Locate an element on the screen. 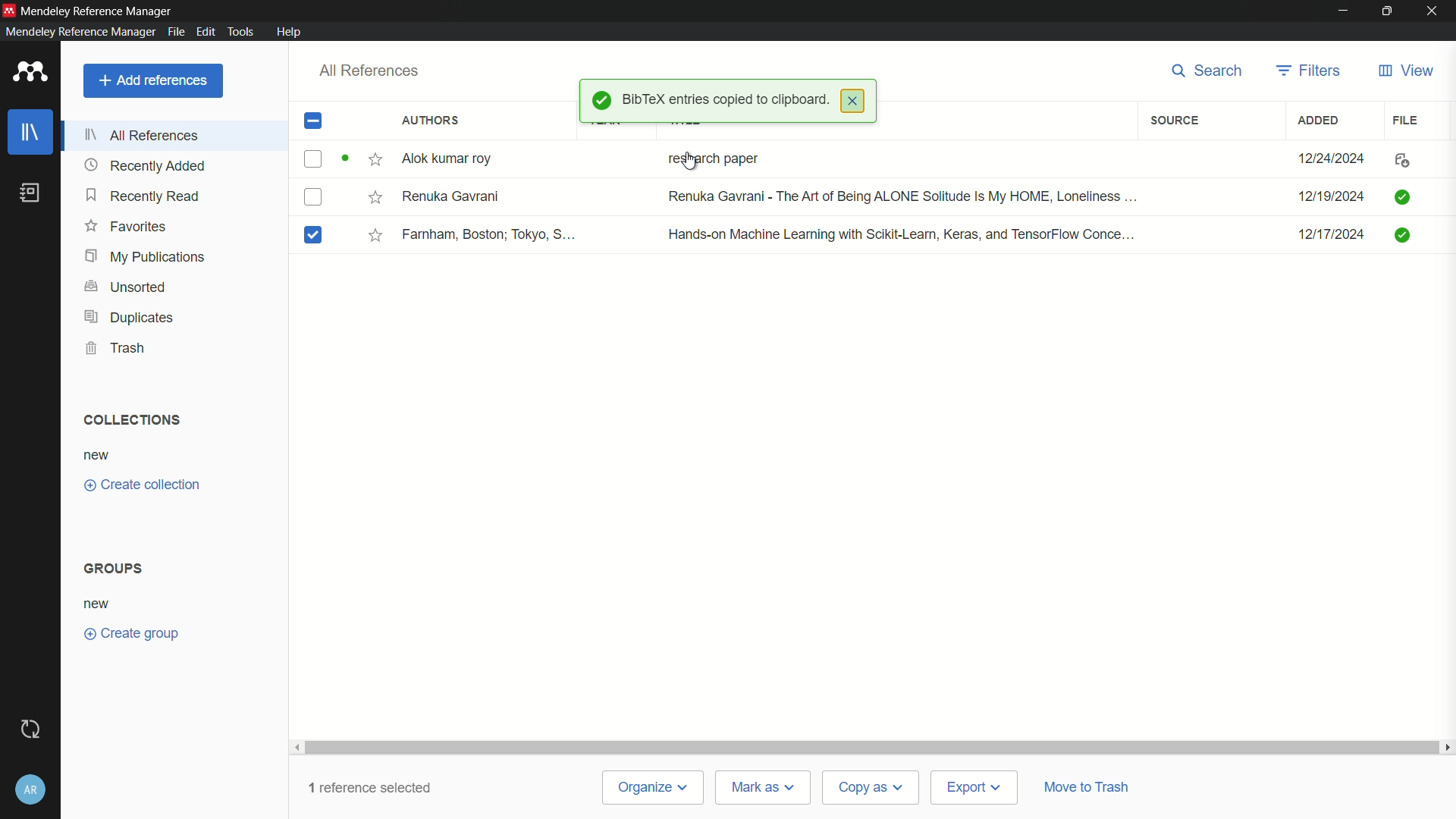 The image size is (1456, 819). year is located at coordinates (607, 124).